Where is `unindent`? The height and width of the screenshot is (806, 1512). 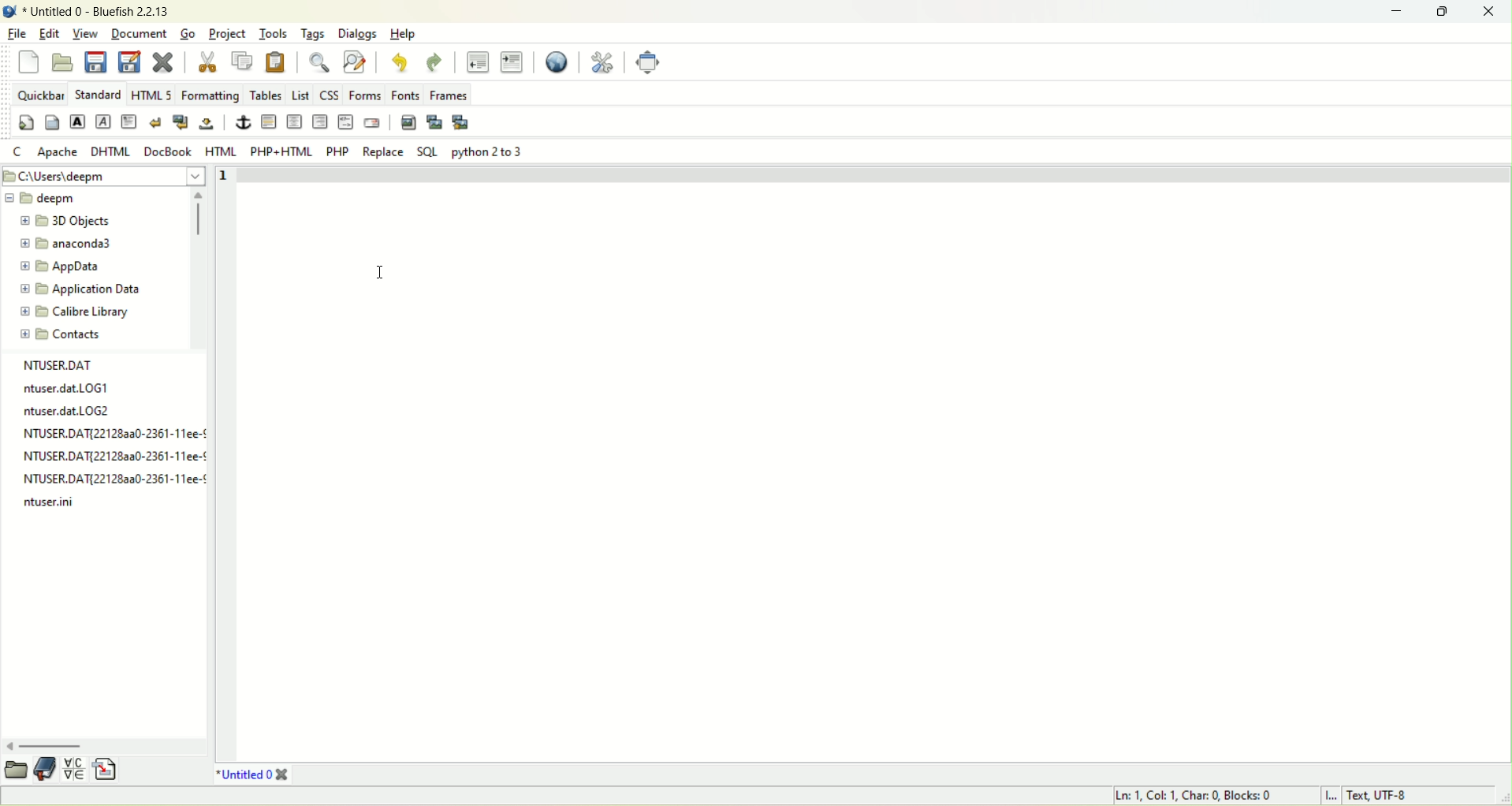 unindent is located at coordinates (477, 62).